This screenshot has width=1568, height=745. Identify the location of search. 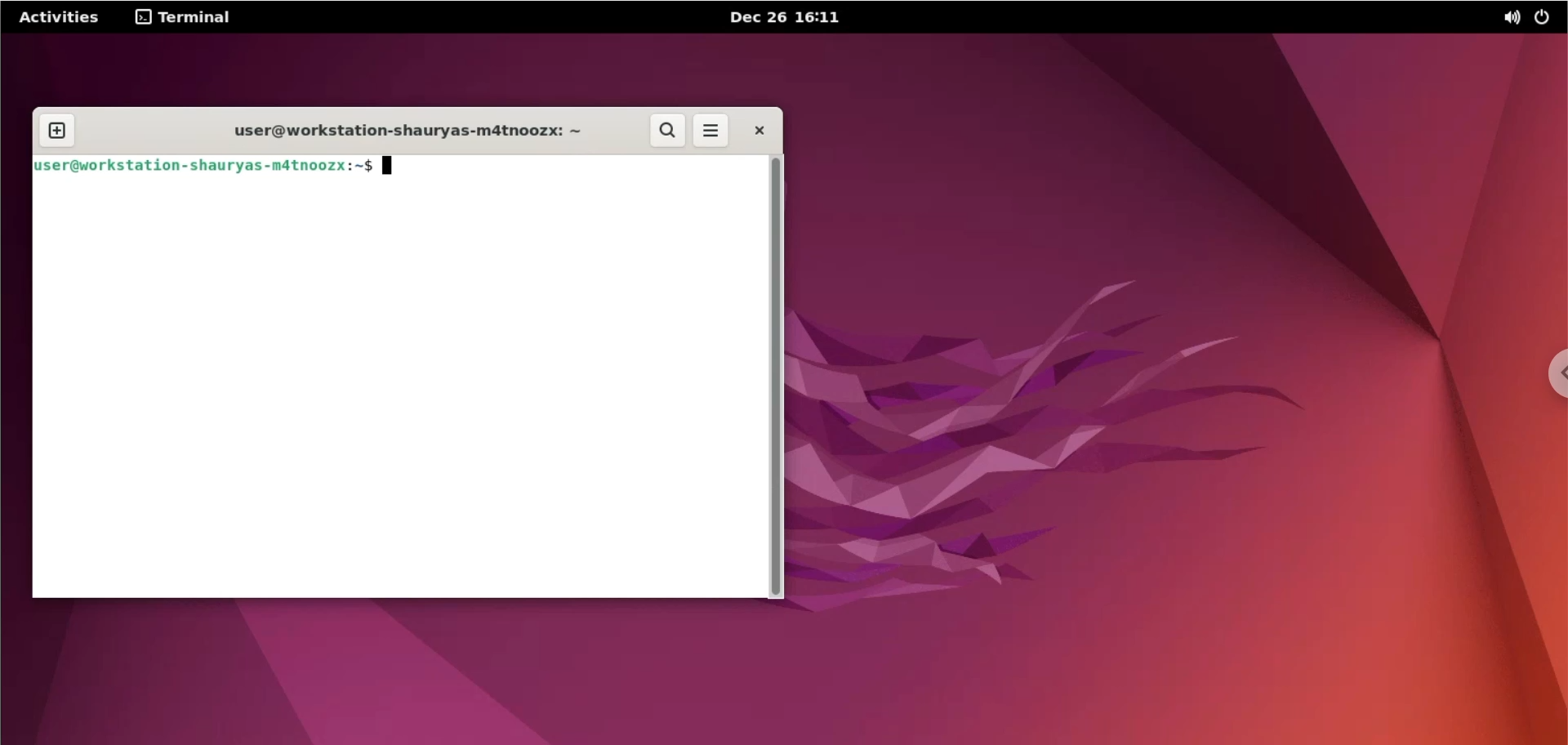
(666, 131).